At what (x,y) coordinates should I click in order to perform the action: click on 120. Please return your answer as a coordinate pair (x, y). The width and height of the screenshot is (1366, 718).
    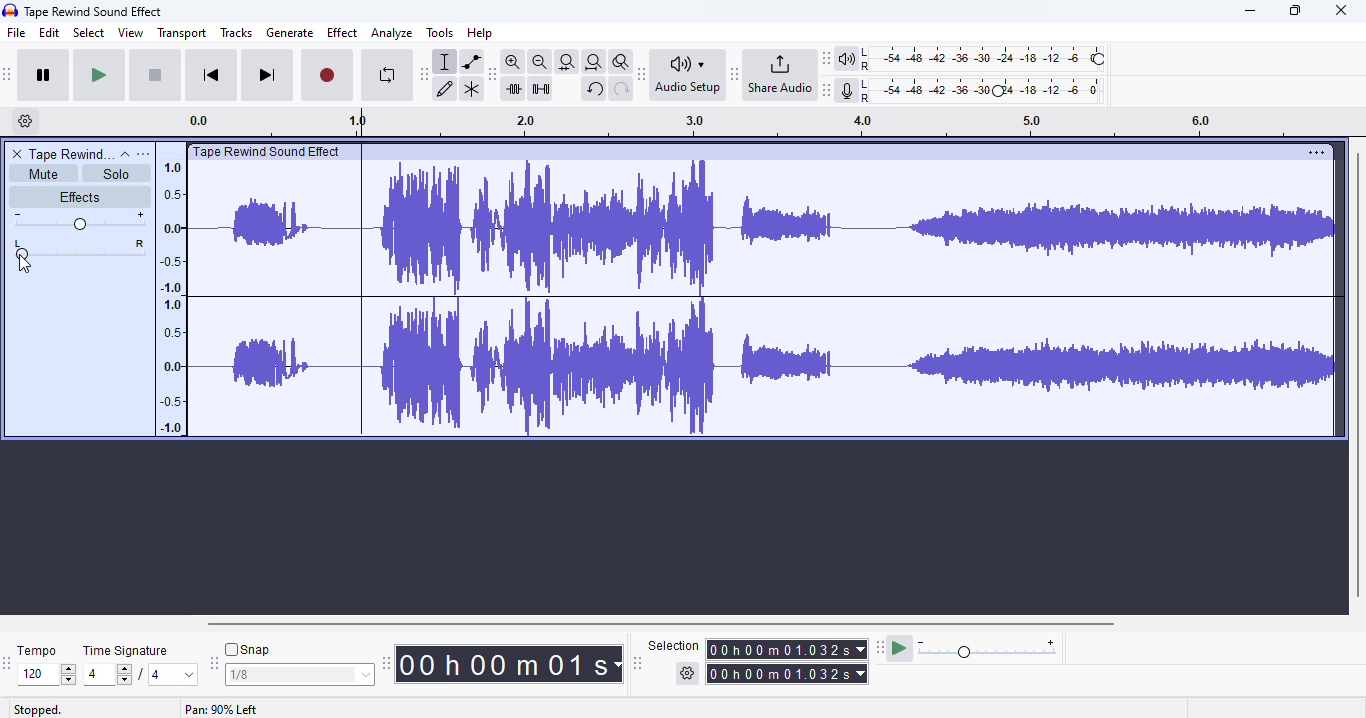
    Looking at the image, I should click on (46, 675).